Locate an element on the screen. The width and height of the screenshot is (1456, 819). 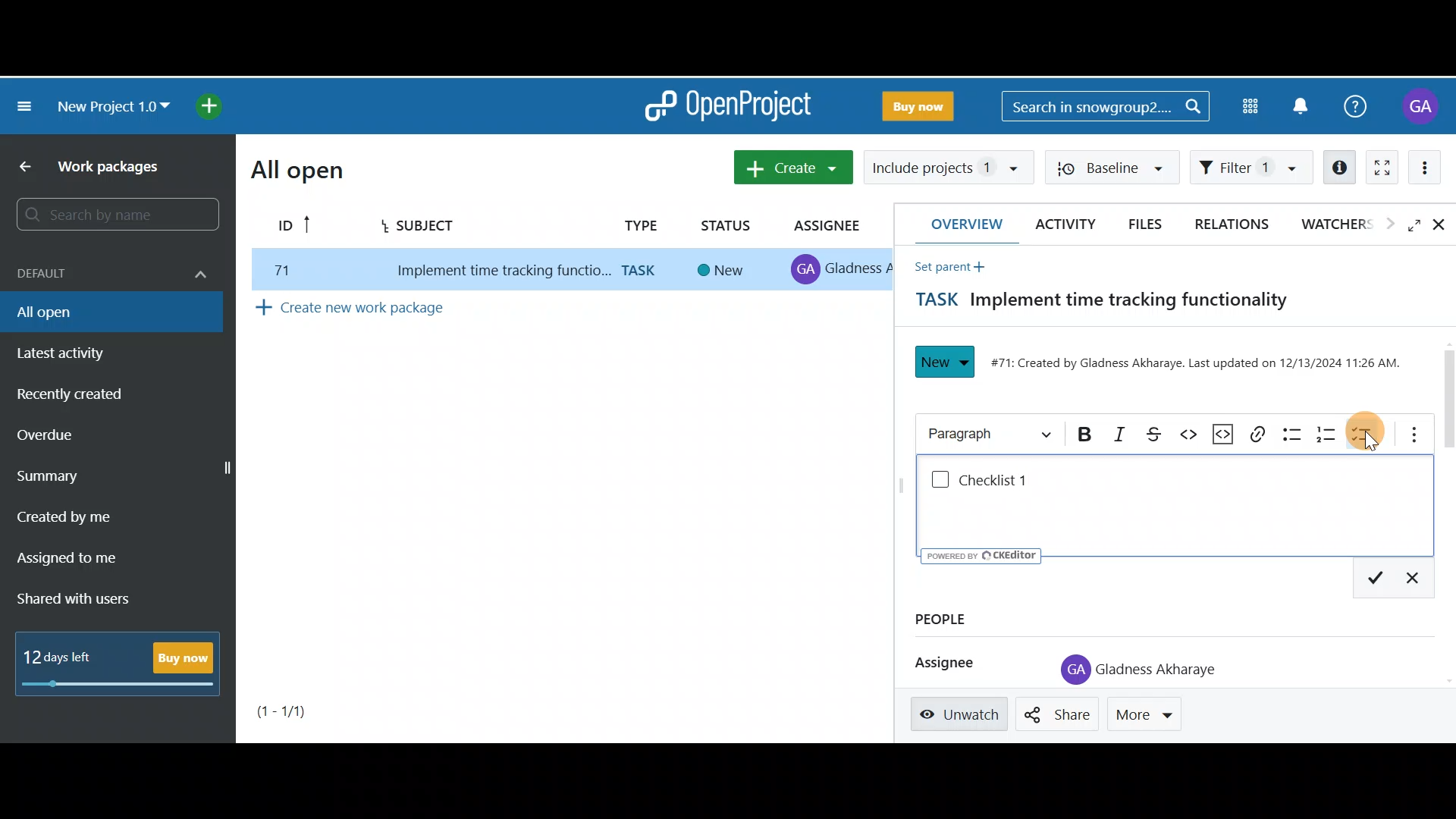
Activate zen mode is located at coordinates (1384, 168).